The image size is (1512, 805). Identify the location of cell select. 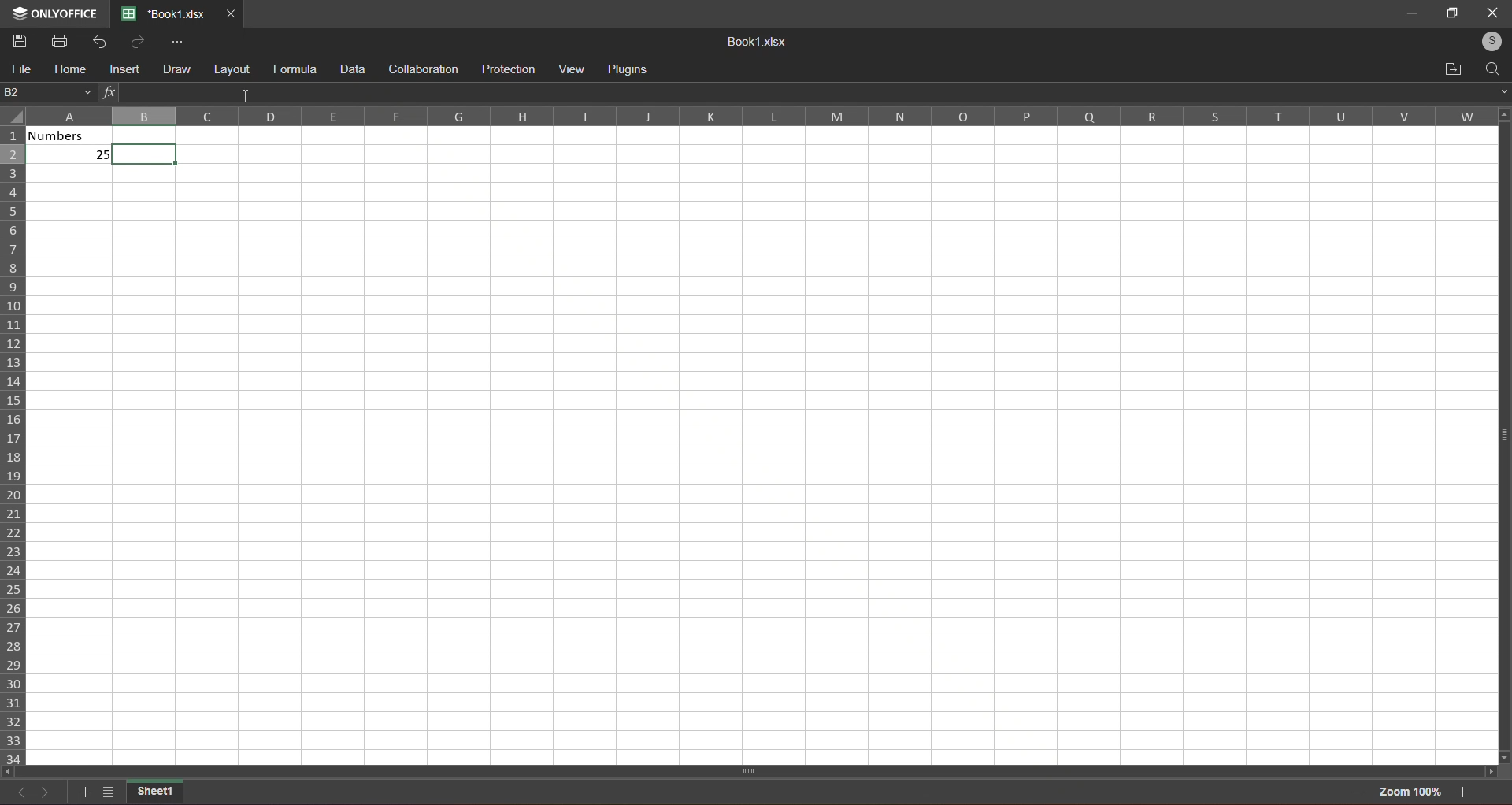
(152, 154).